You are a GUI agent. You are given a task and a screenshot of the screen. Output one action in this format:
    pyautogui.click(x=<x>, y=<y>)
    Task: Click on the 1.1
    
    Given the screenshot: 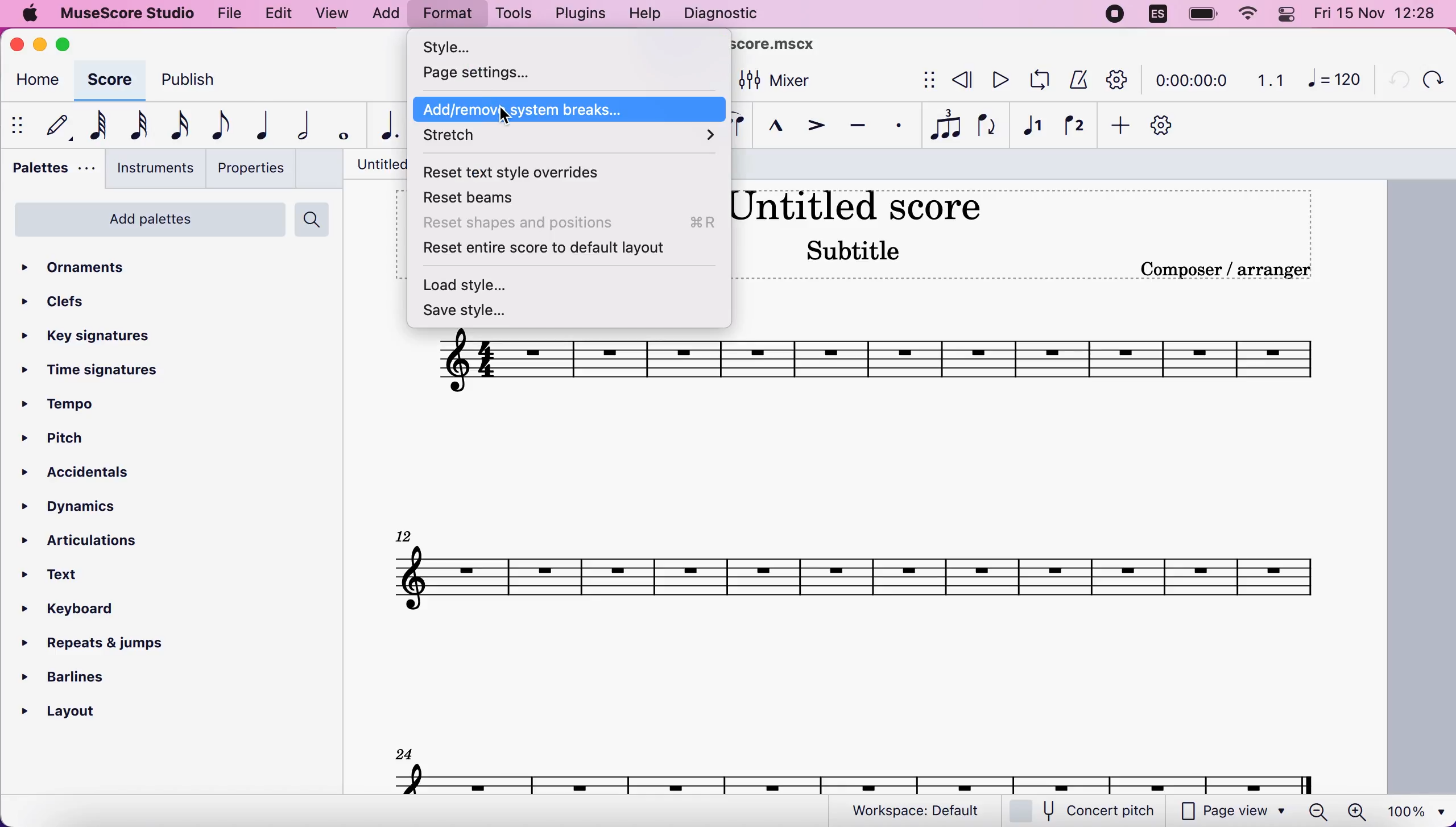 What is the action you would take?
    pyautogui.click(x=1271, y=80)
    